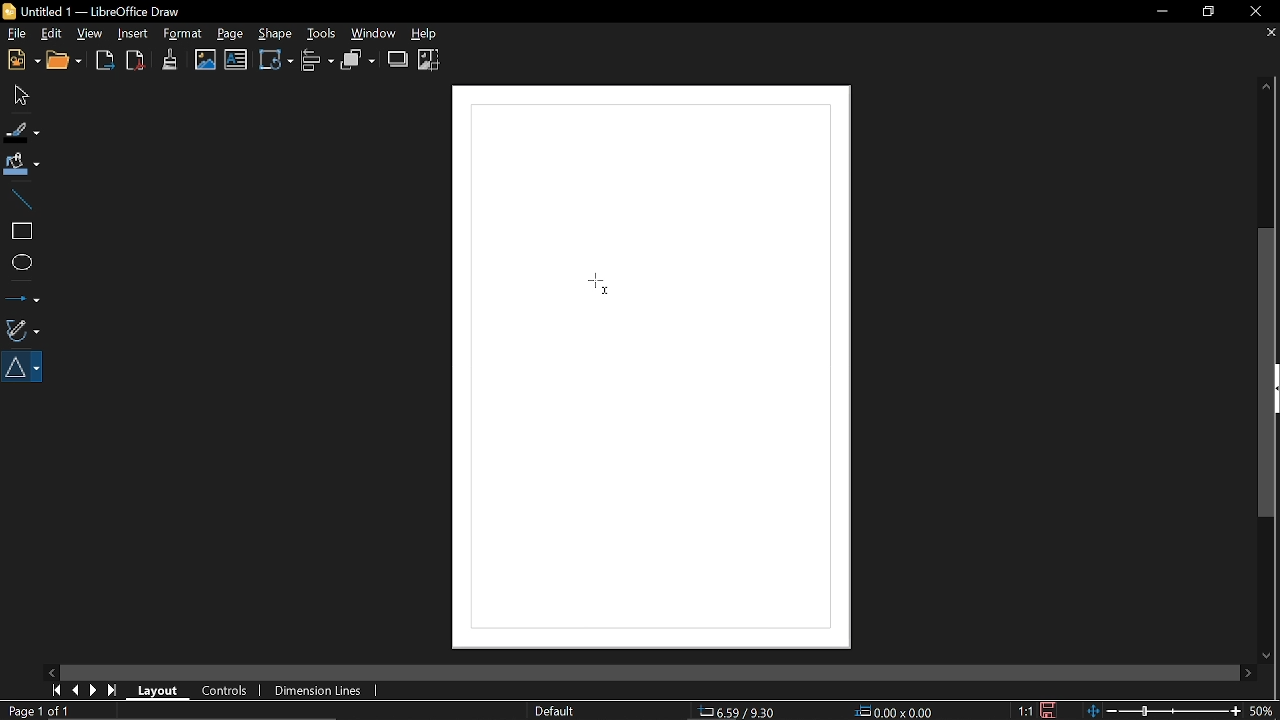  Describe the element at coordinates (1264, 655) in the screenshot. I see `Move down` at that location.